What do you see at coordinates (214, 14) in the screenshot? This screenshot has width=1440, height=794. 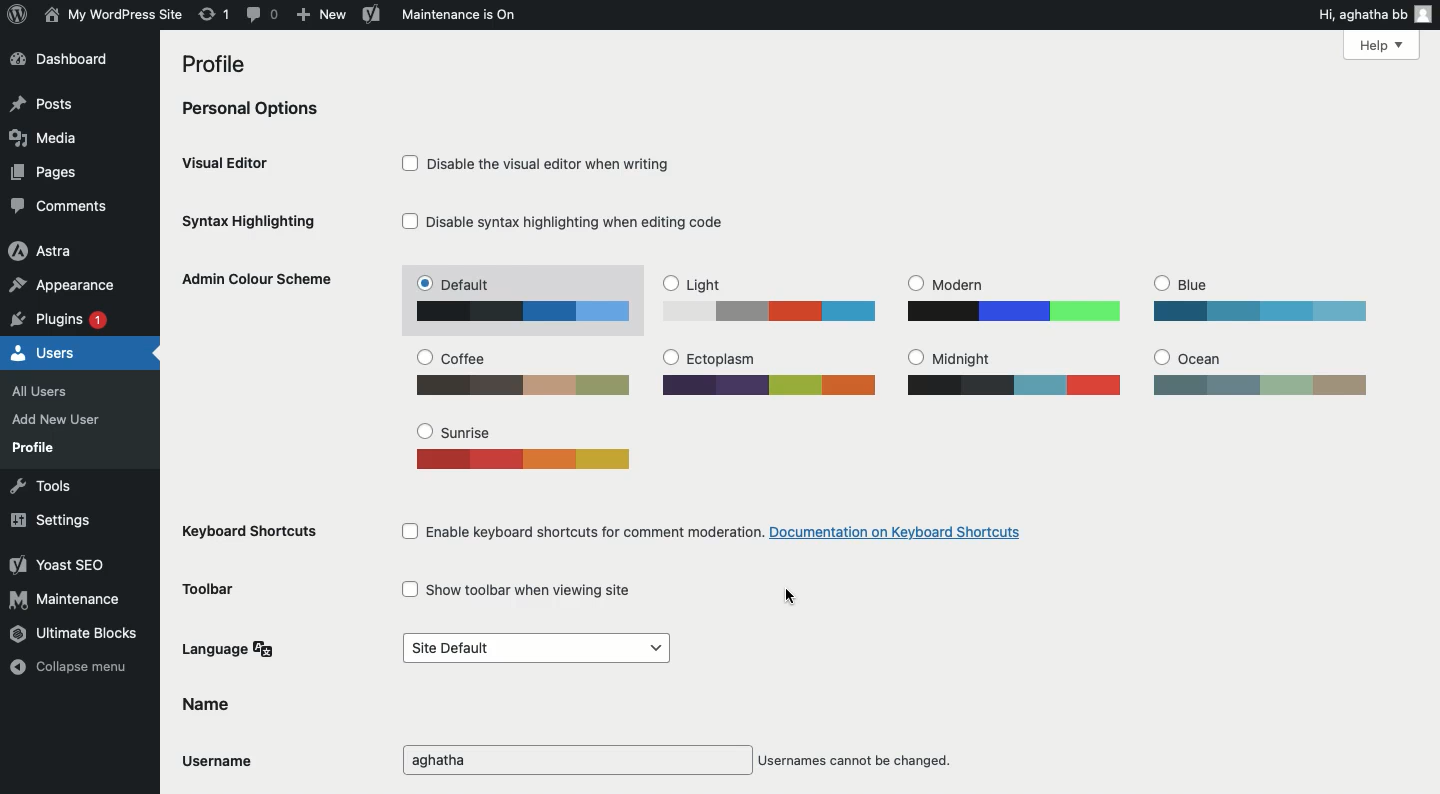 I see `Revision` at bounding box center [214, 14].